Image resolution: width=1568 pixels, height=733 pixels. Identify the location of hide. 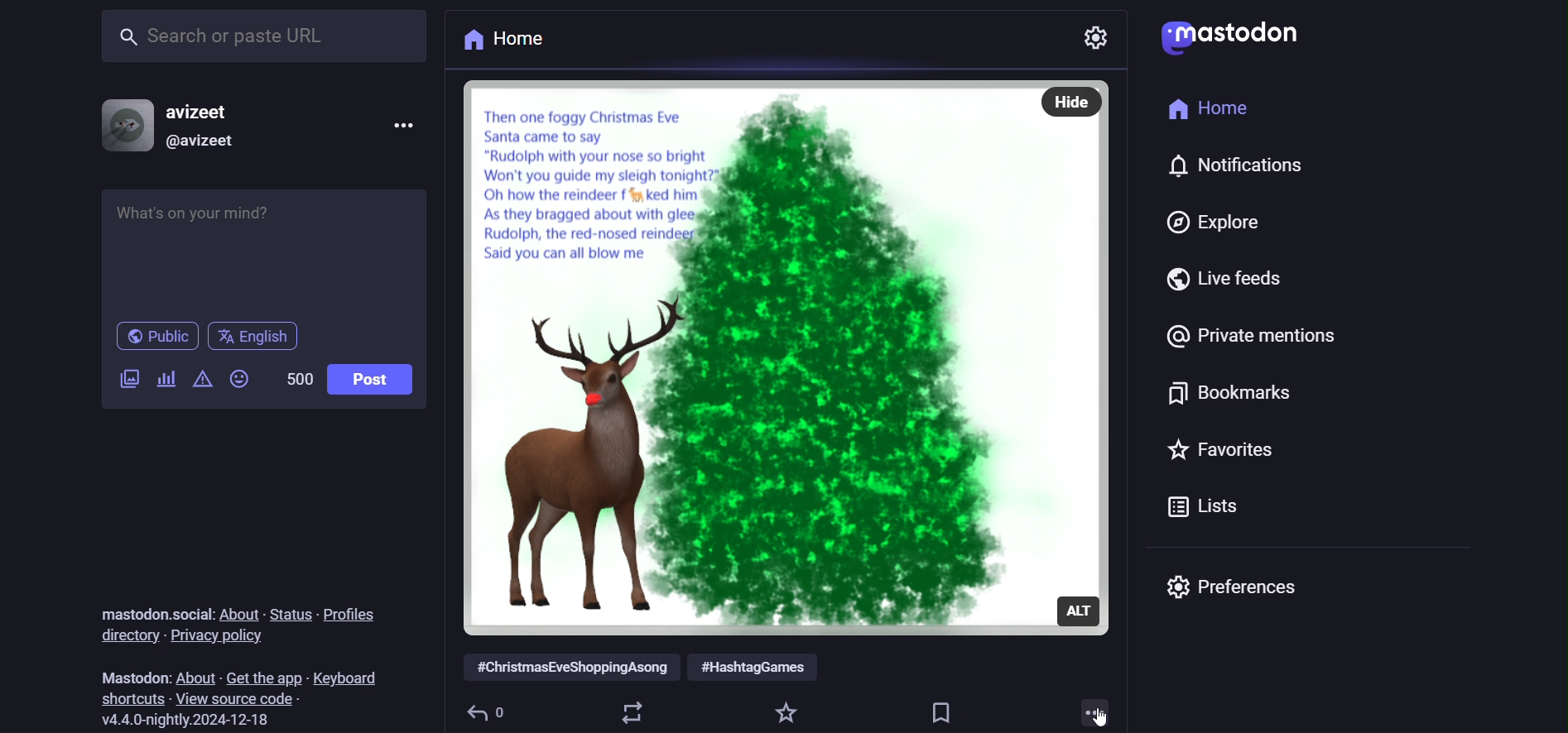
(1070, 101).